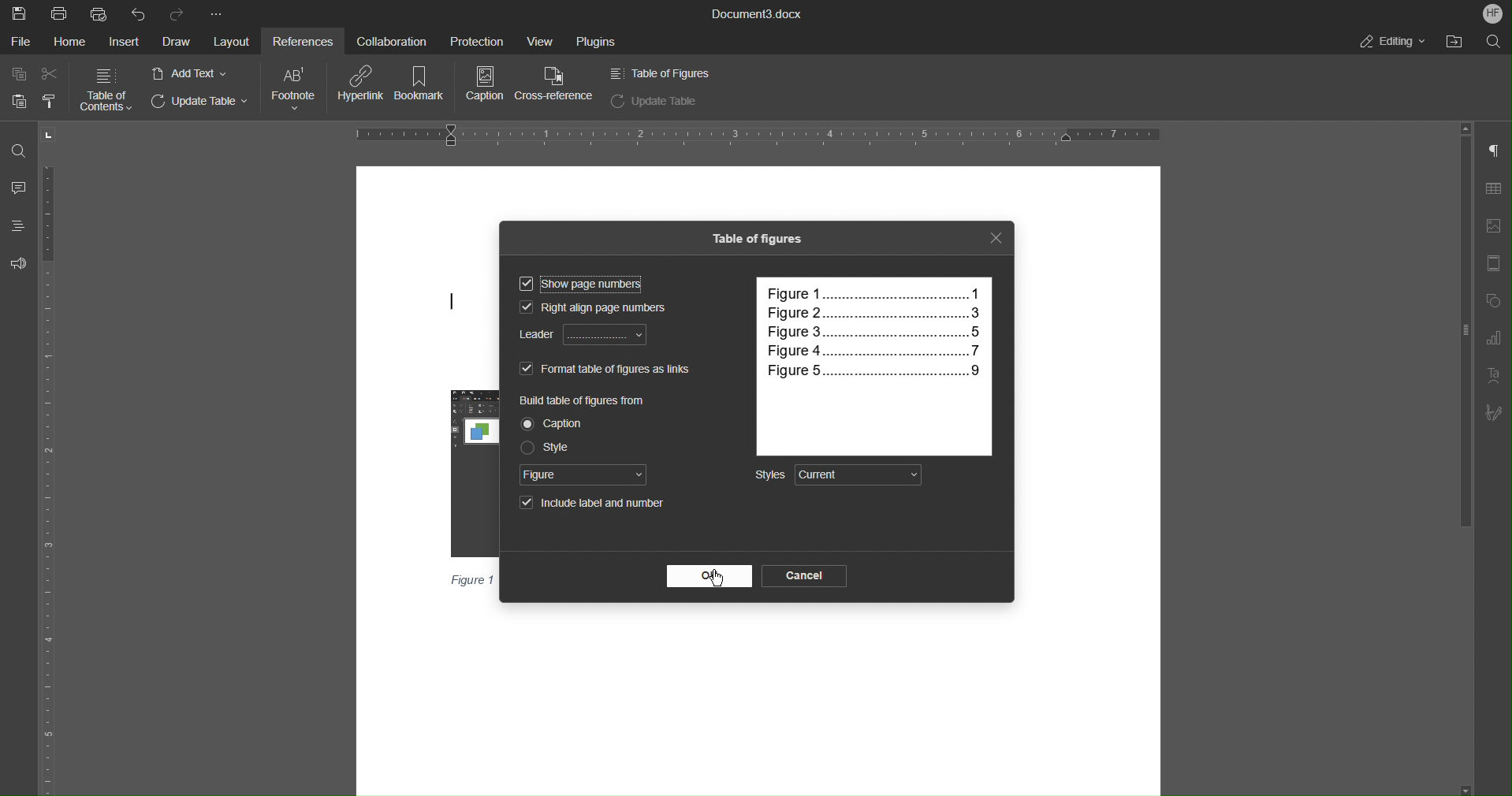 This screenshot has height=796, width=1512. What do you see at coordinates (1492, 303) in the screenshot?
I see `Shapes Settings` at bounding box center [1492, 303].